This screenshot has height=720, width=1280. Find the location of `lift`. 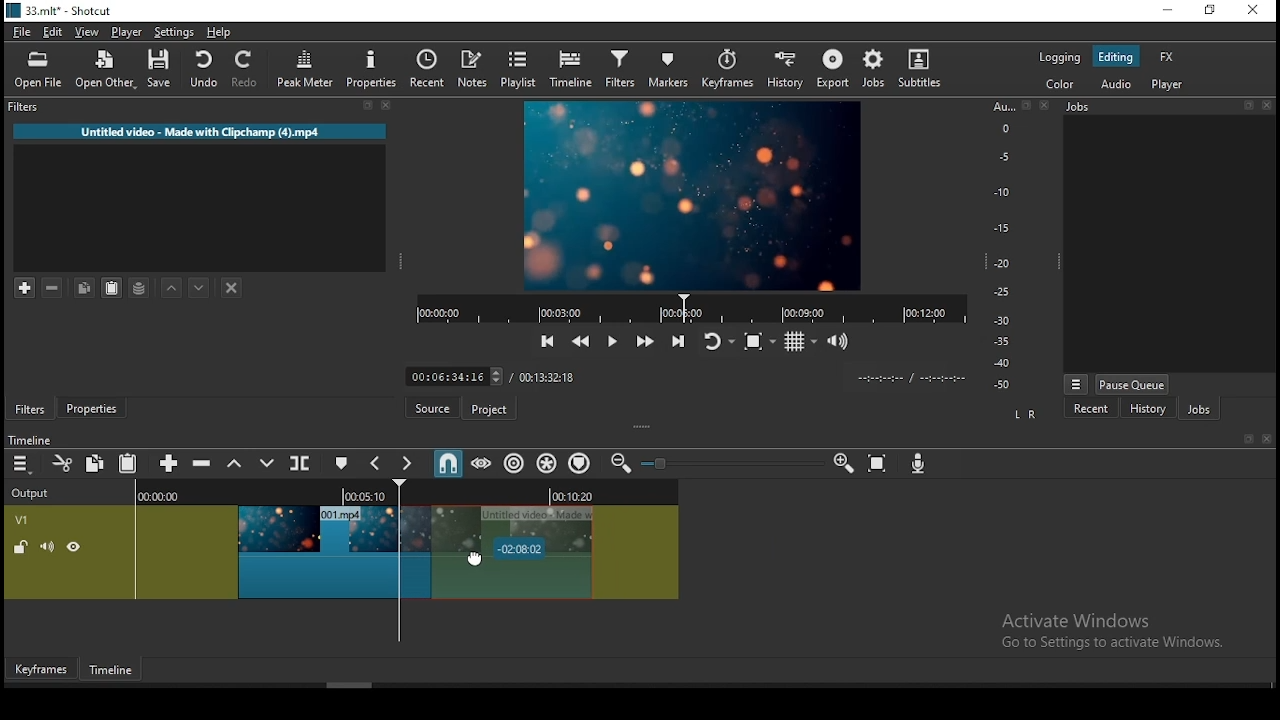

lift is located at coordinates (235, 464).